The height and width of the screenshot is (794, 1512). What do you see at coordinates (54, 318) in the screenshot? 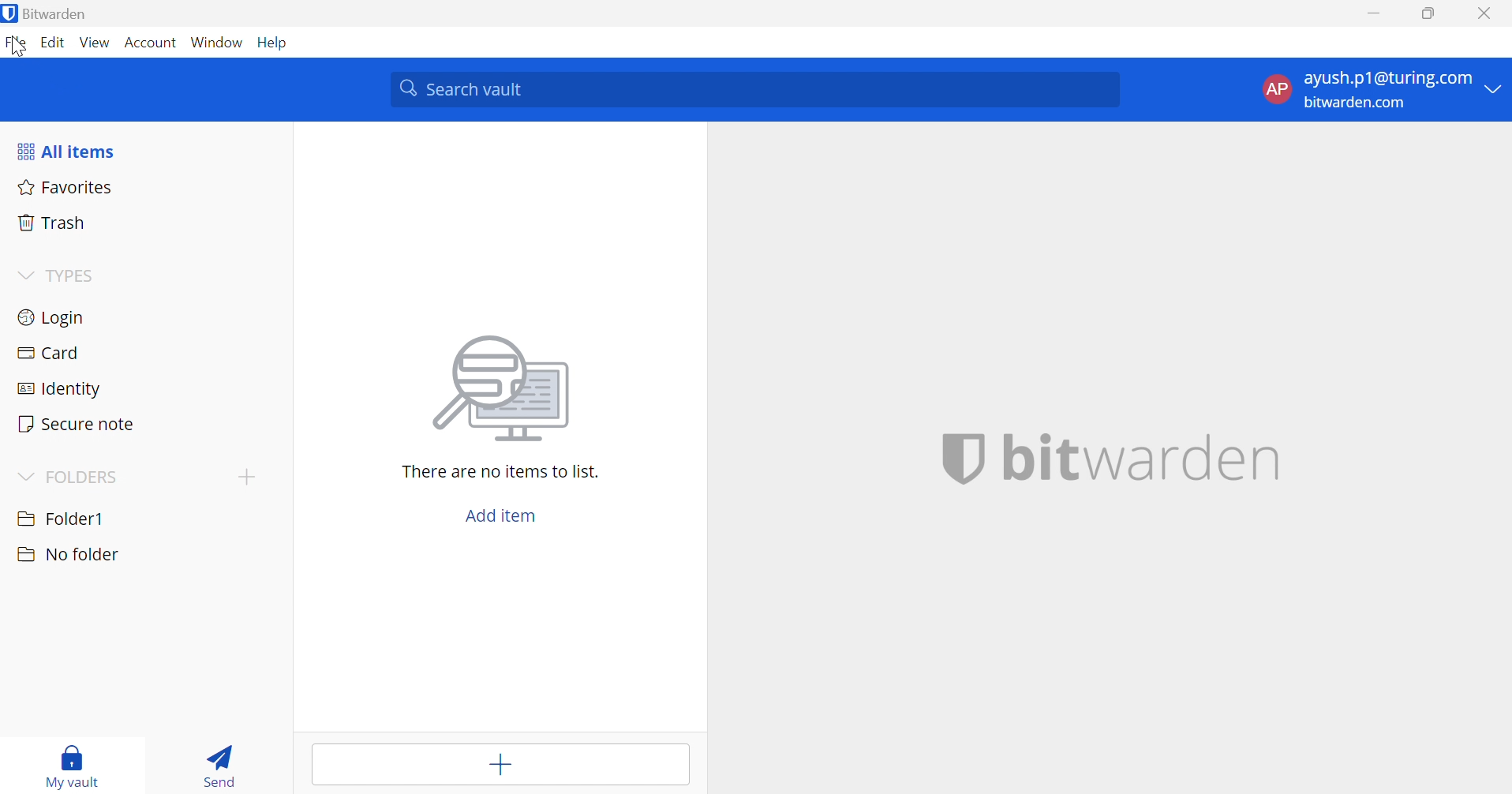
I see `Login` at bounding box center [54, 318].